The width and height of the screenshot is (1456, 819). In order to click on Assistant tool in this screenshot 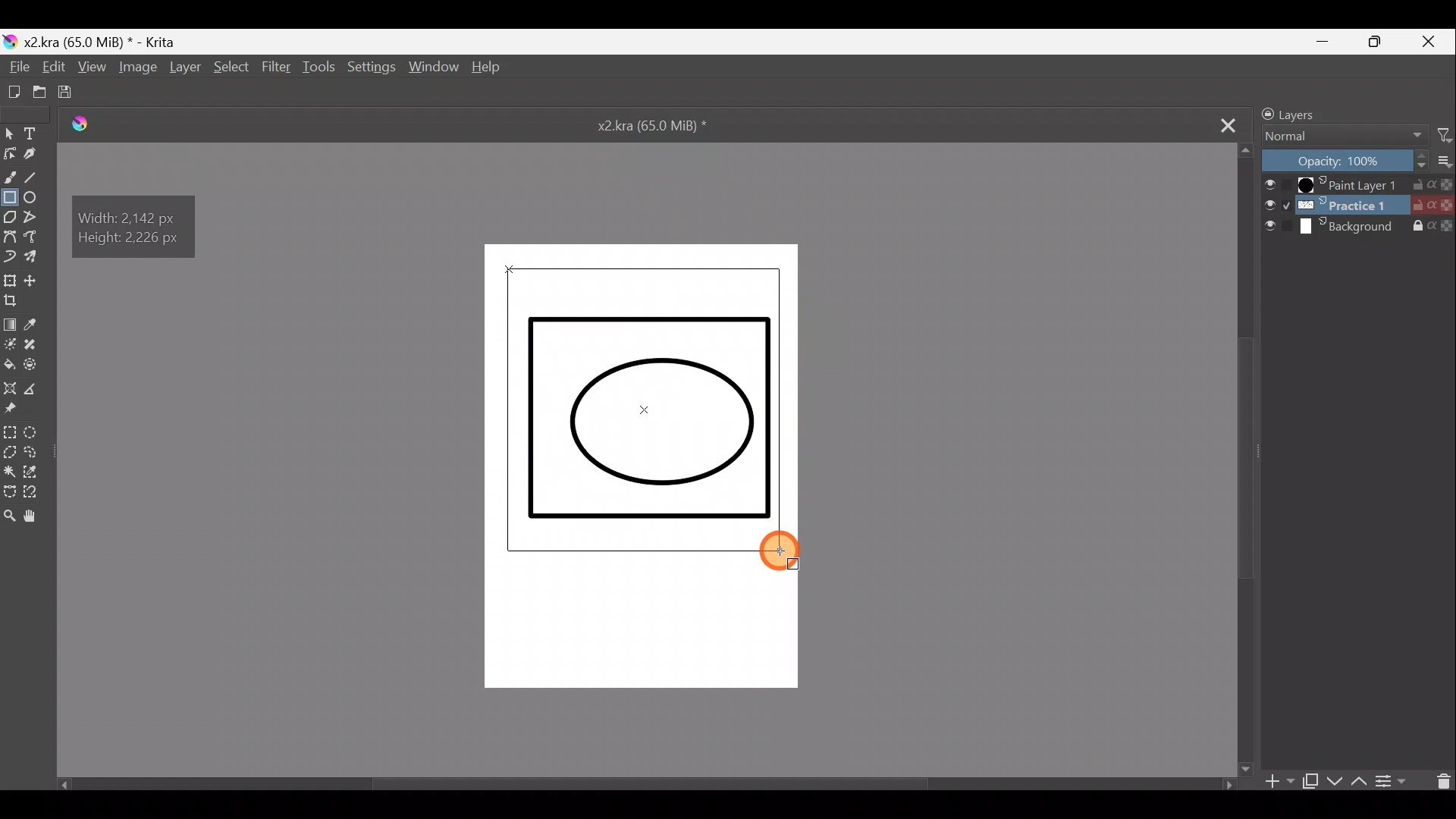, I will do `click(11, 386)`.